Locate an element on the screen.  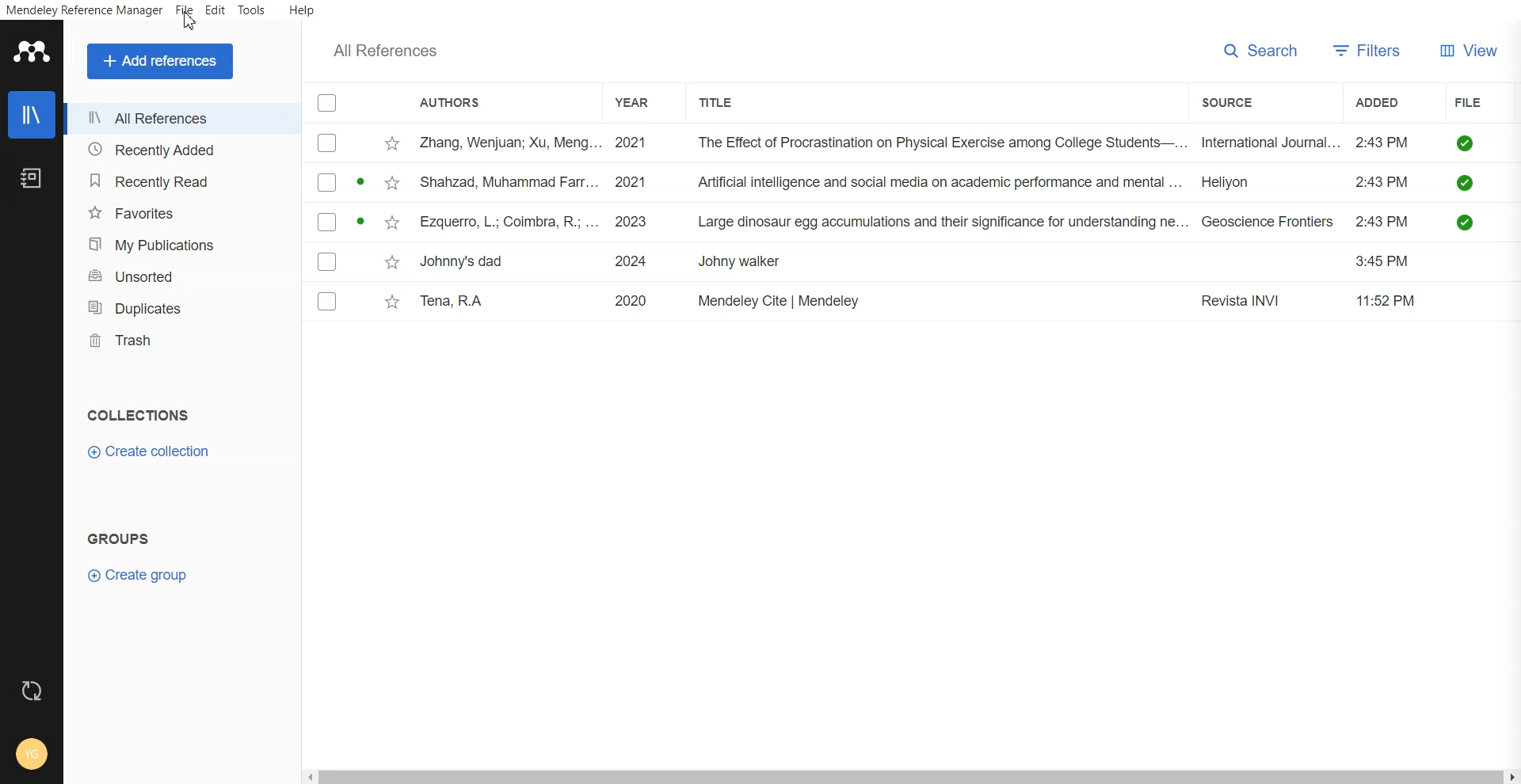
File is located at coordinates (1472, 101).